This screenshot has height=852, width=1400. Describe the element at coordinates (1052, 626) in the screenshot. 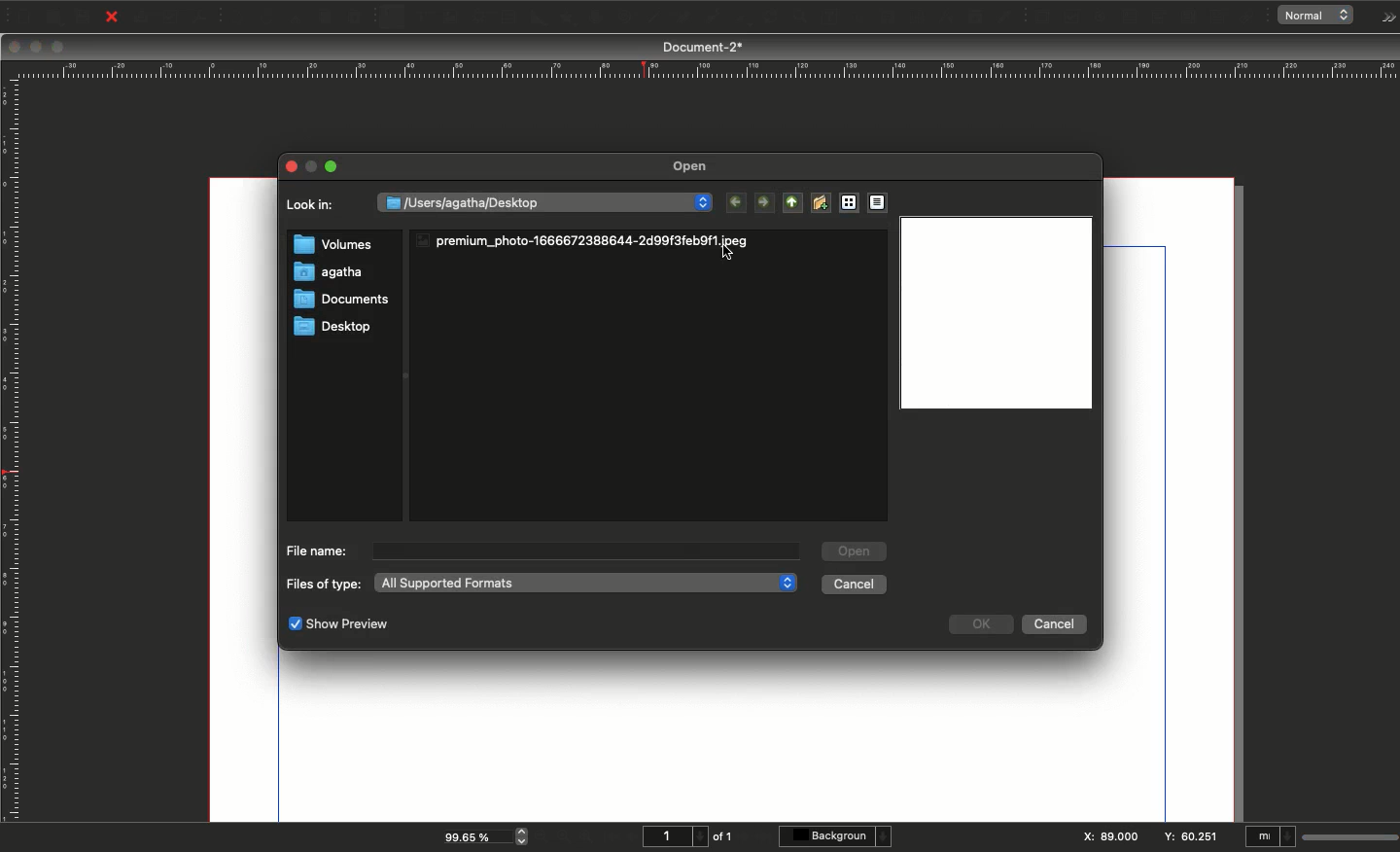

I see `Cancel` at that location.